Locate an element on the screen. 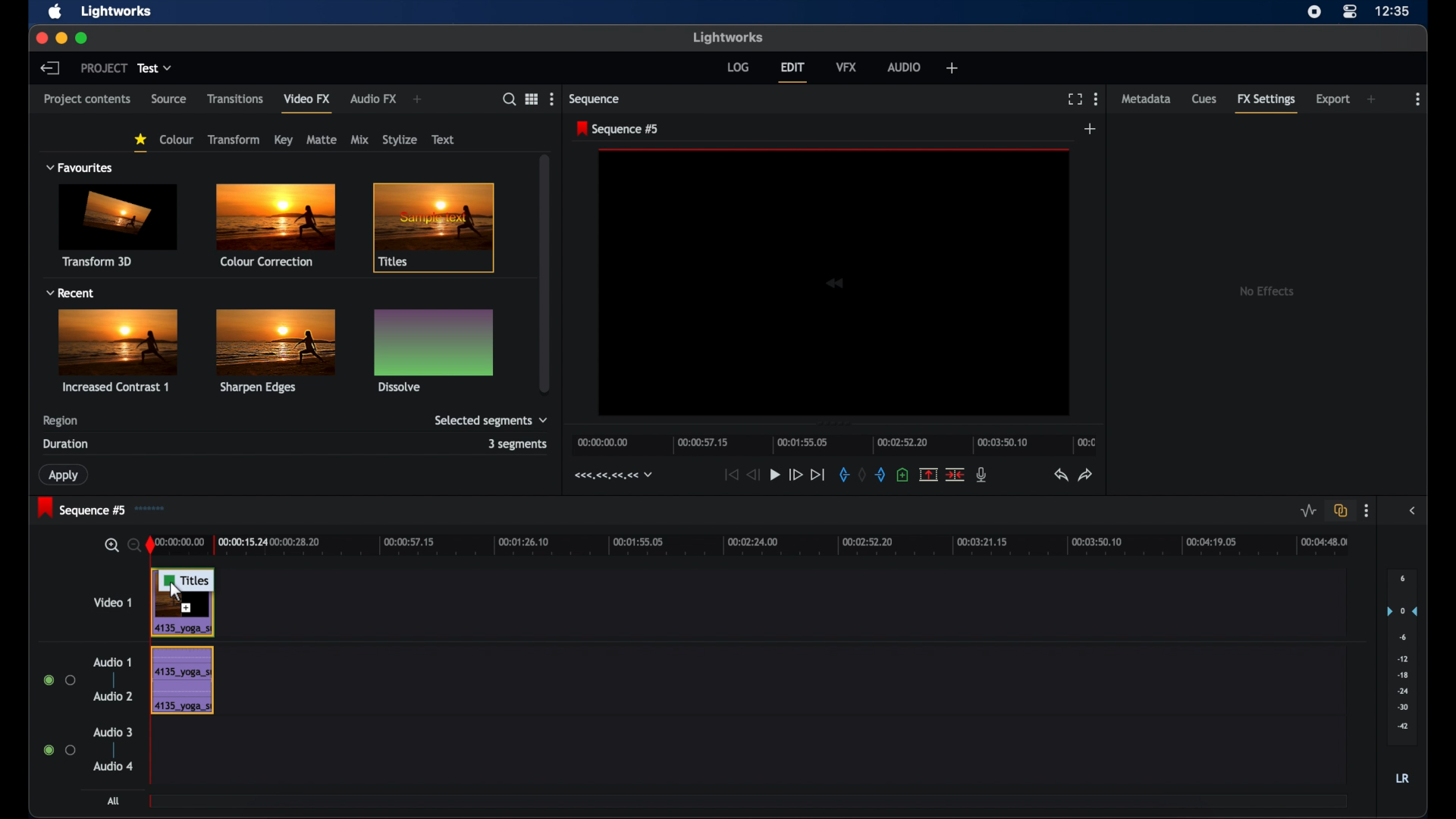 Image resolution: width=1456 pixels, height=819 pixels. back is located at coordinates (51, 68).